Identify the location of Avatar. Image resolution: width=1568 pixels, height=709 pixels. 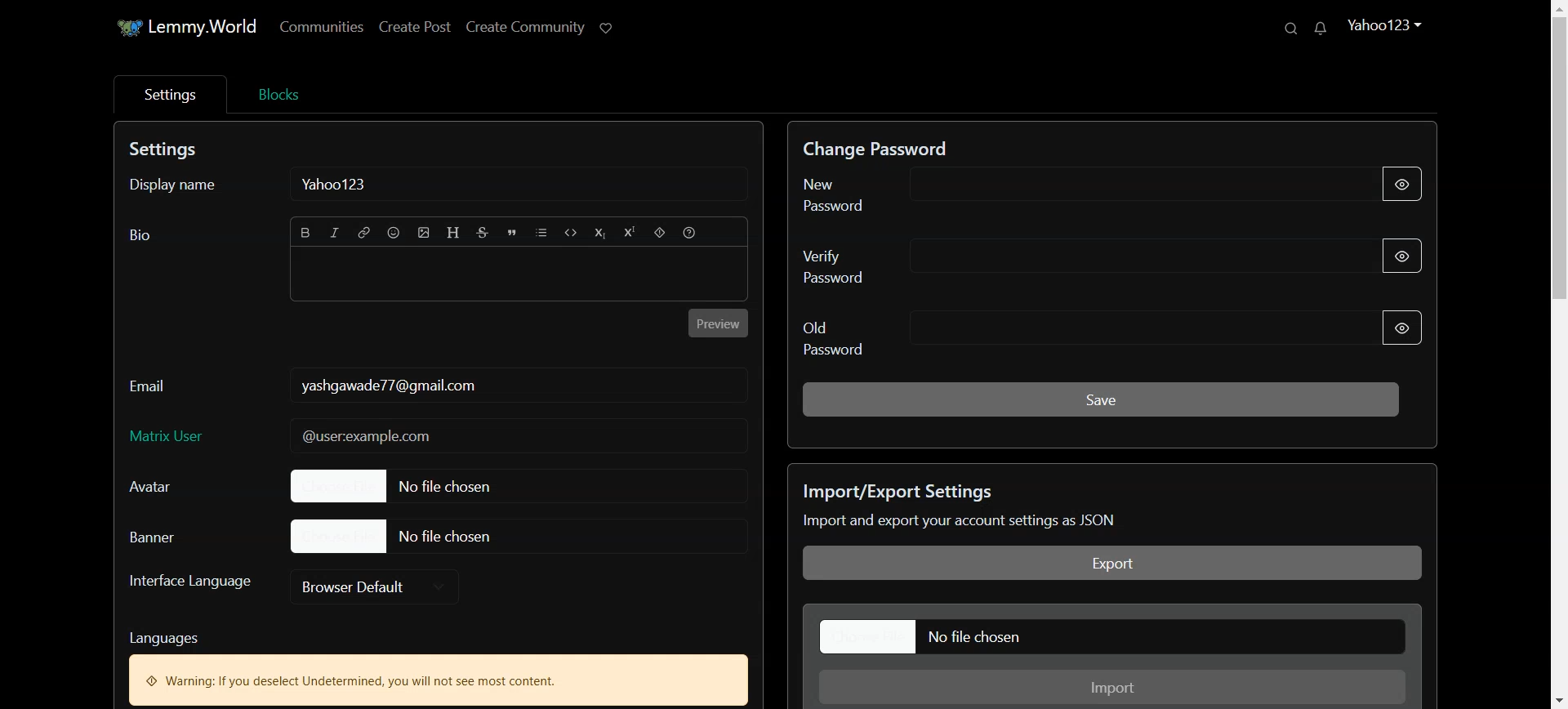
(167, 487).